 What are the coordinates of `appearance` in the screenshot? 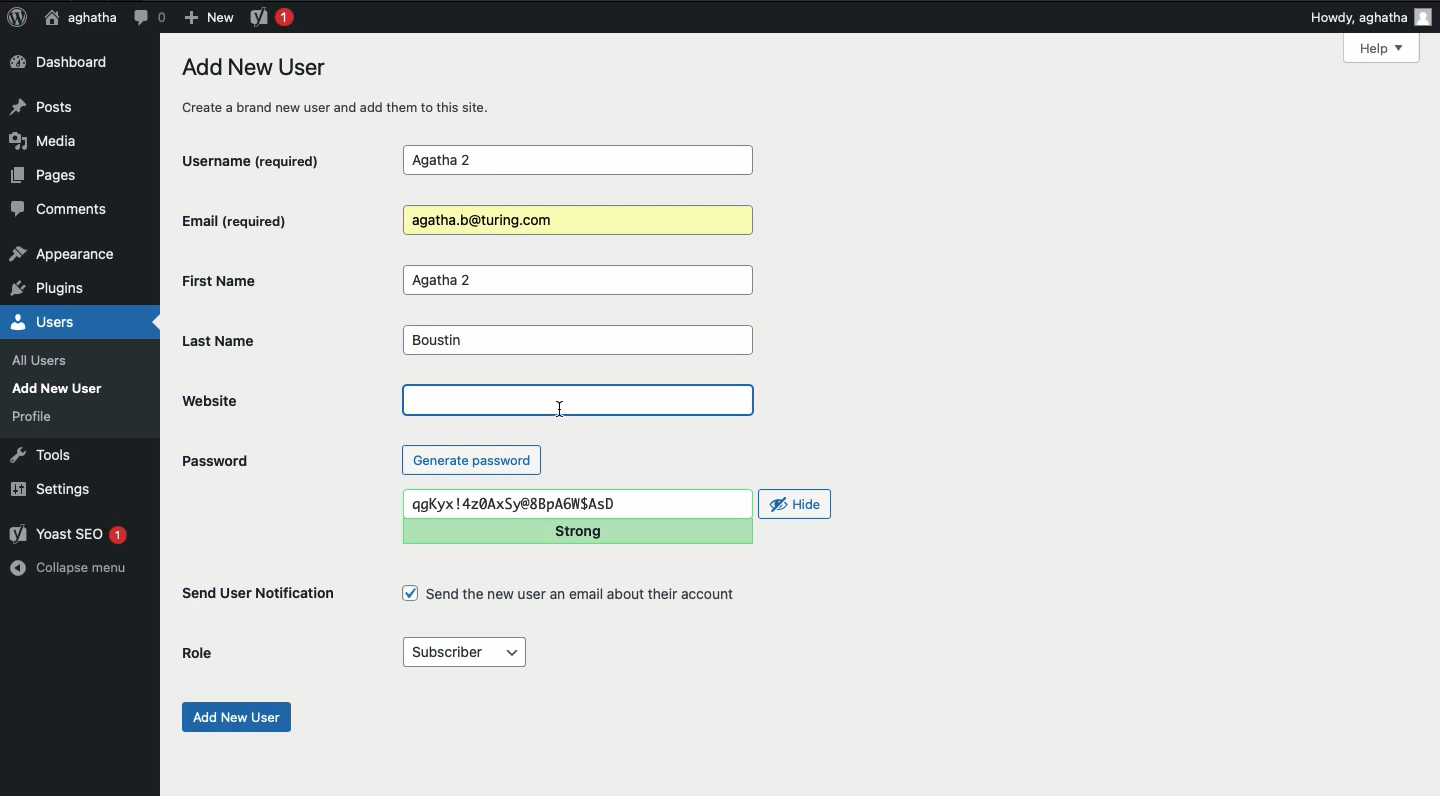 It's located at (63, 256).